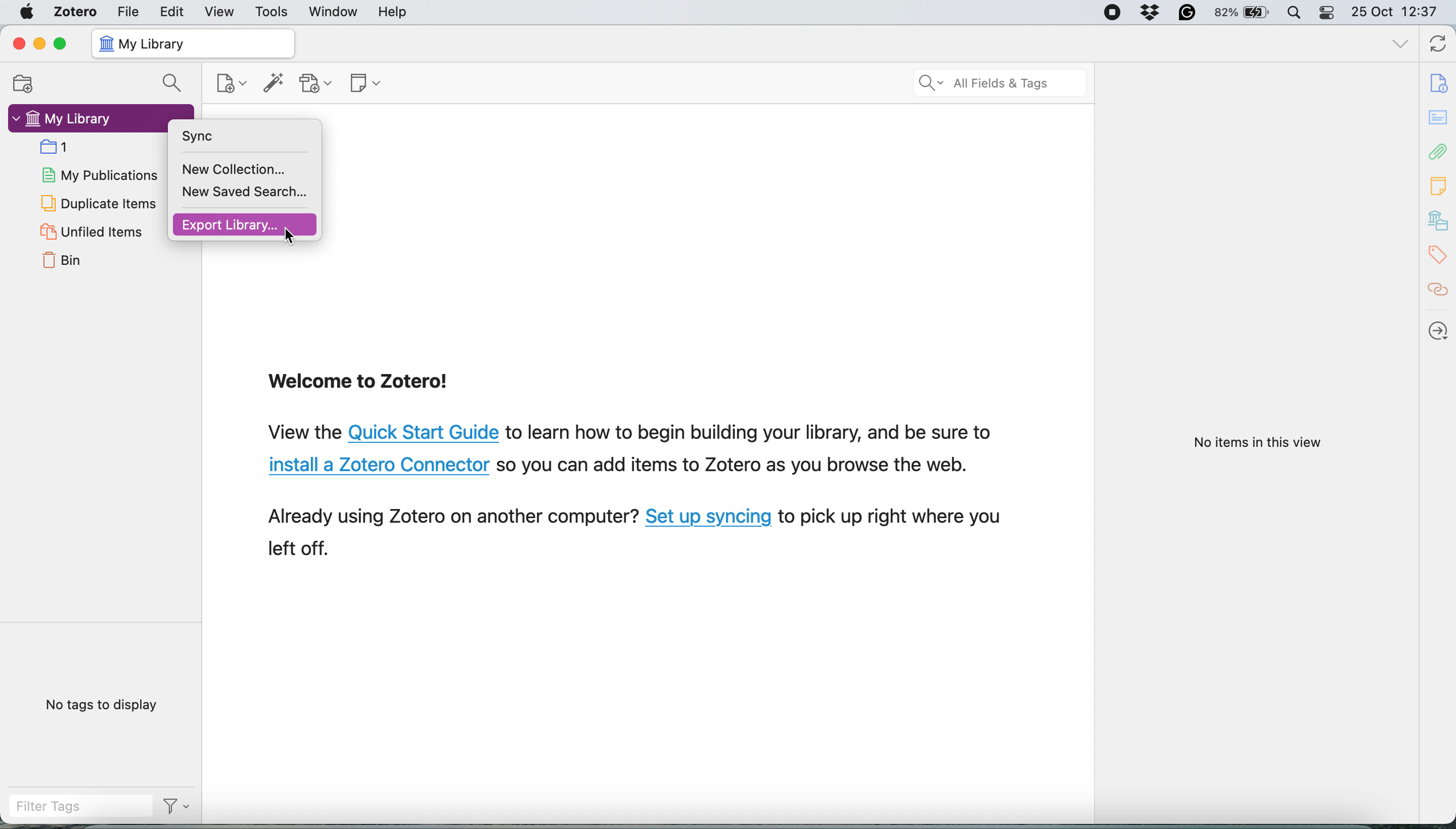 Image resolution: width=1456 pixels, height=829 pixels. Describe the element at coordinates (41, 46) in the screenshot. I see `minimize` at that location.